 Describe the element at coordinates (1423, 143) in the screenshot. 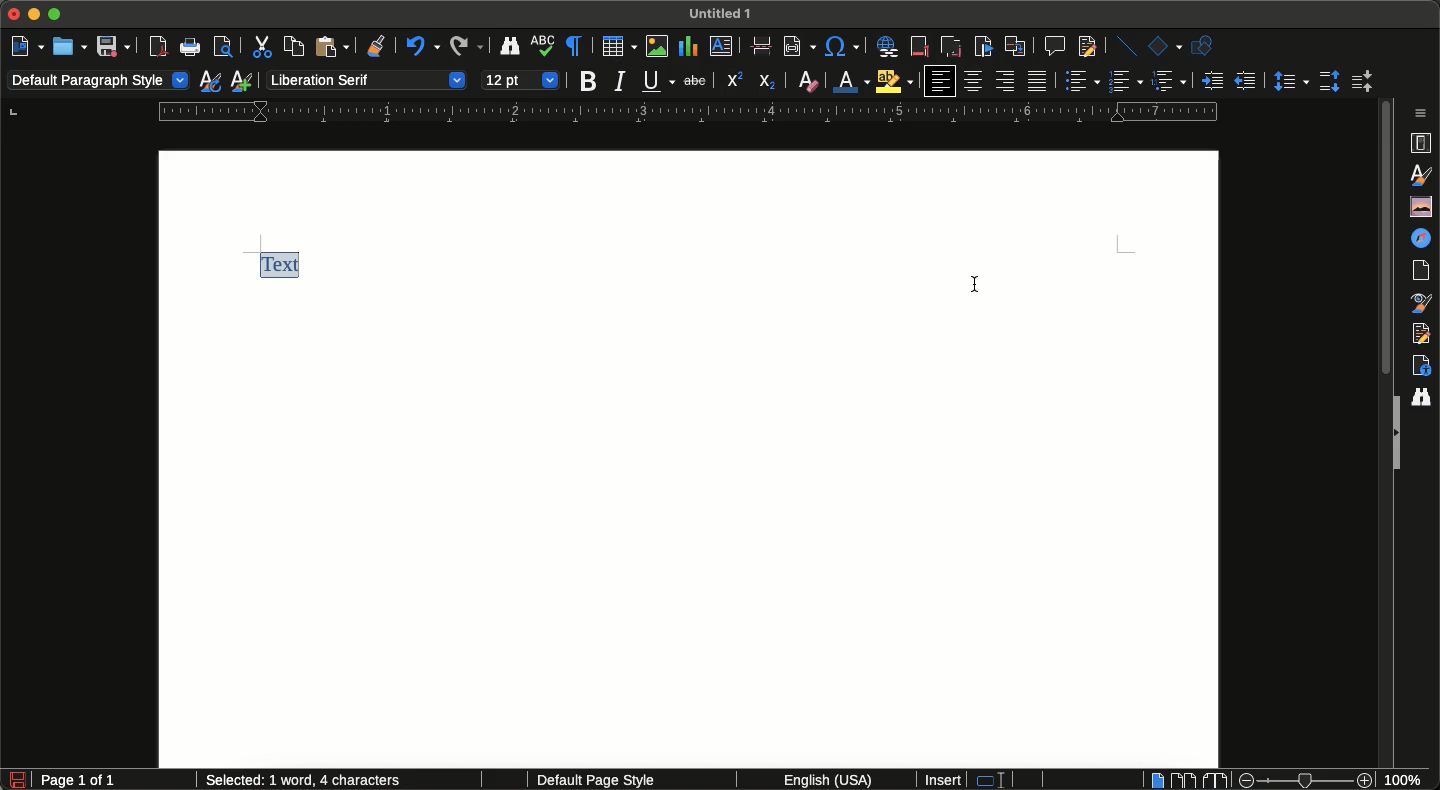

I see `Properties` at that location.